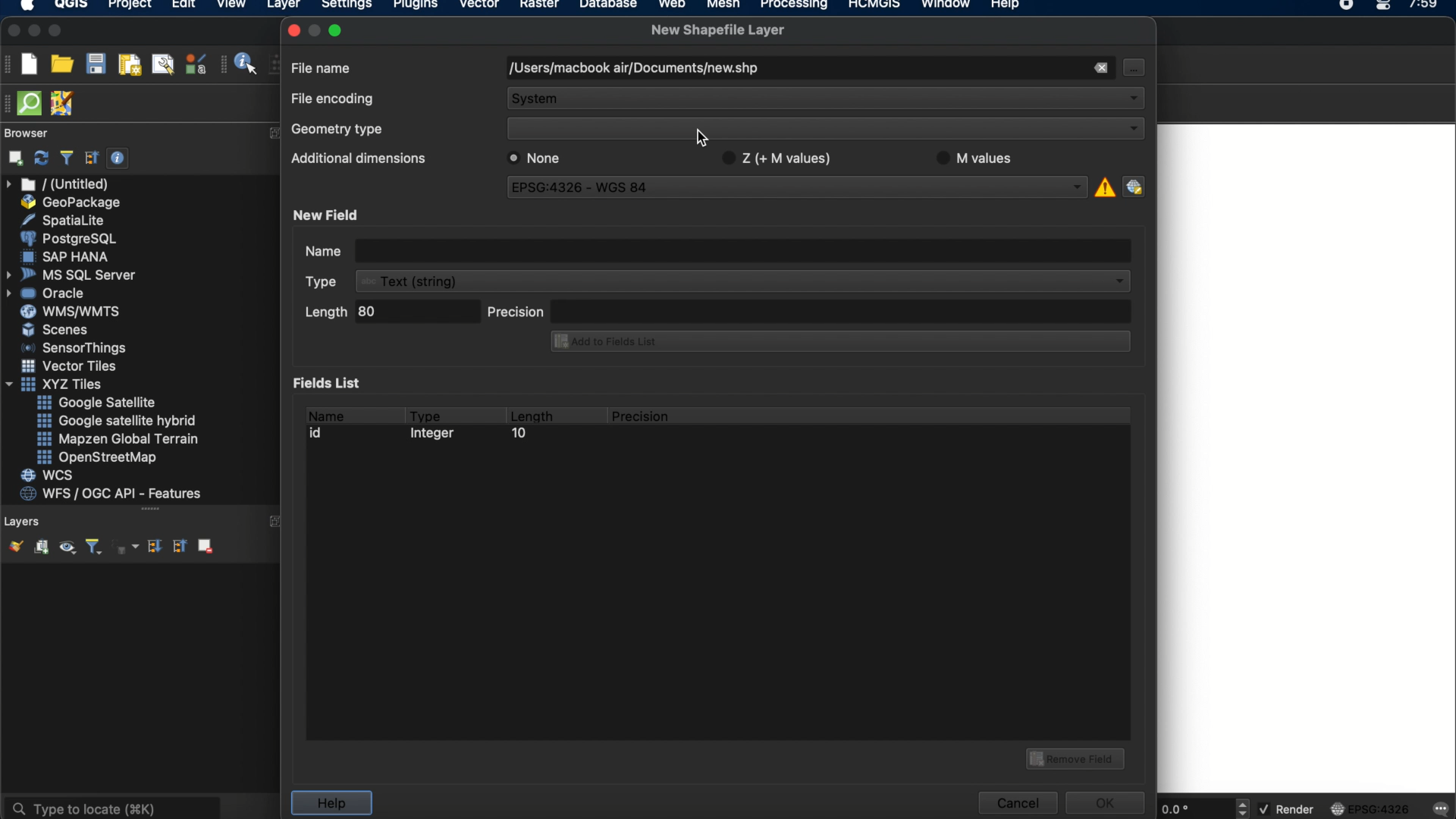 The height and width of the screenshot is (819, 1456). I want to click on project toolbar, so click(9, 64).